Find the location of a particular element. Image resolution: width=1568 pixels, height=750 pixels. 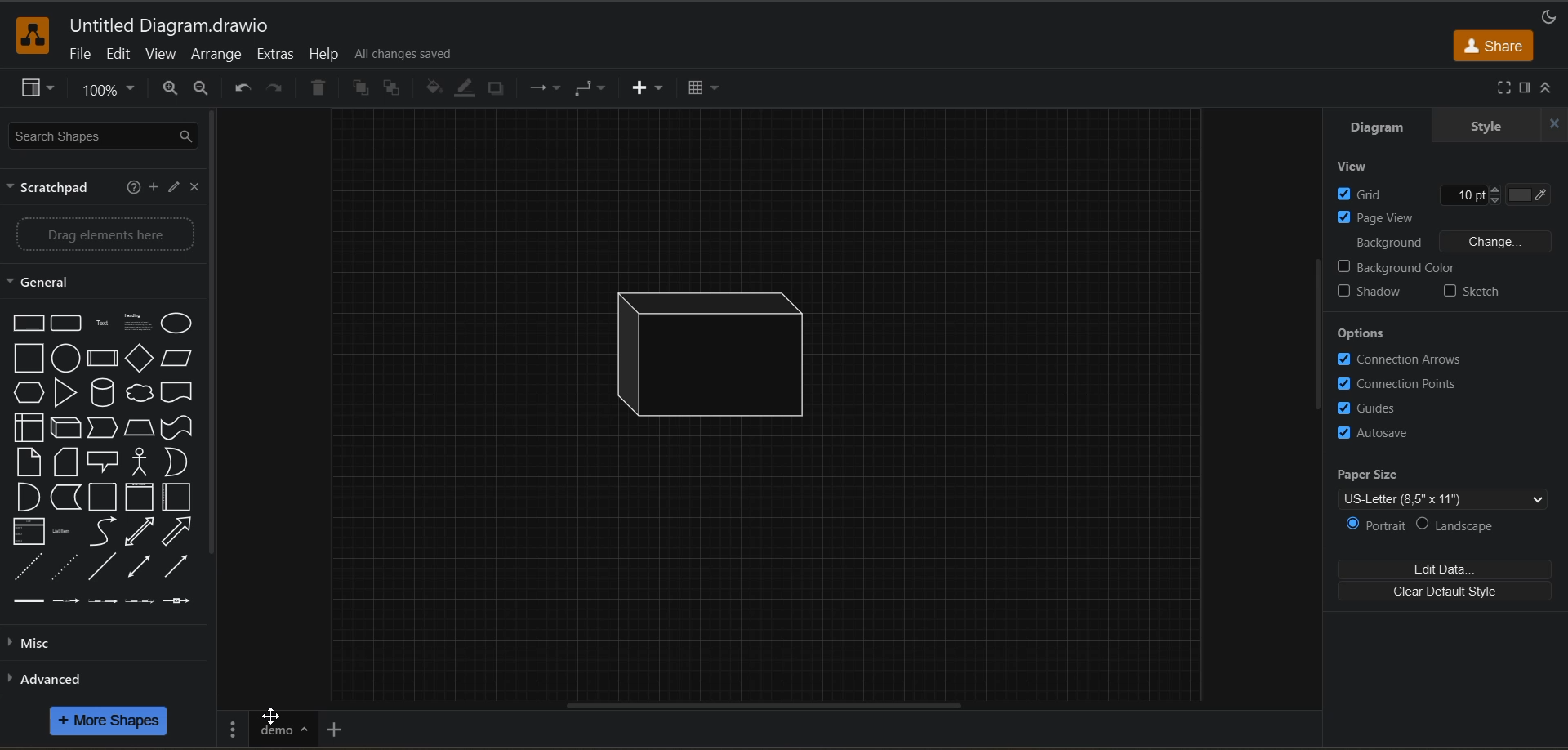

shape is located at coordinates (724, 356).